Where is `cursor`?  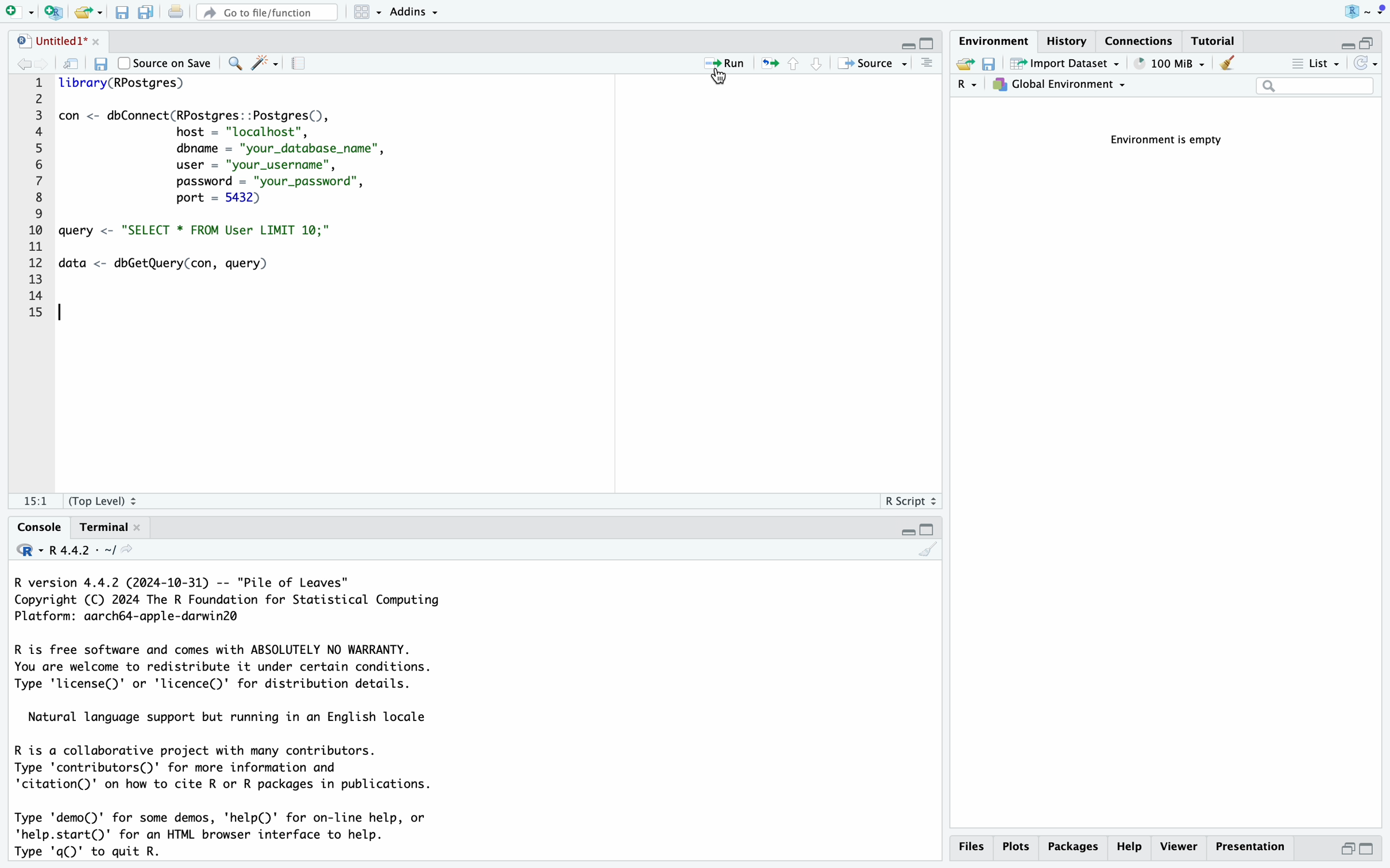
cursor is located at coordinates (718, 79).